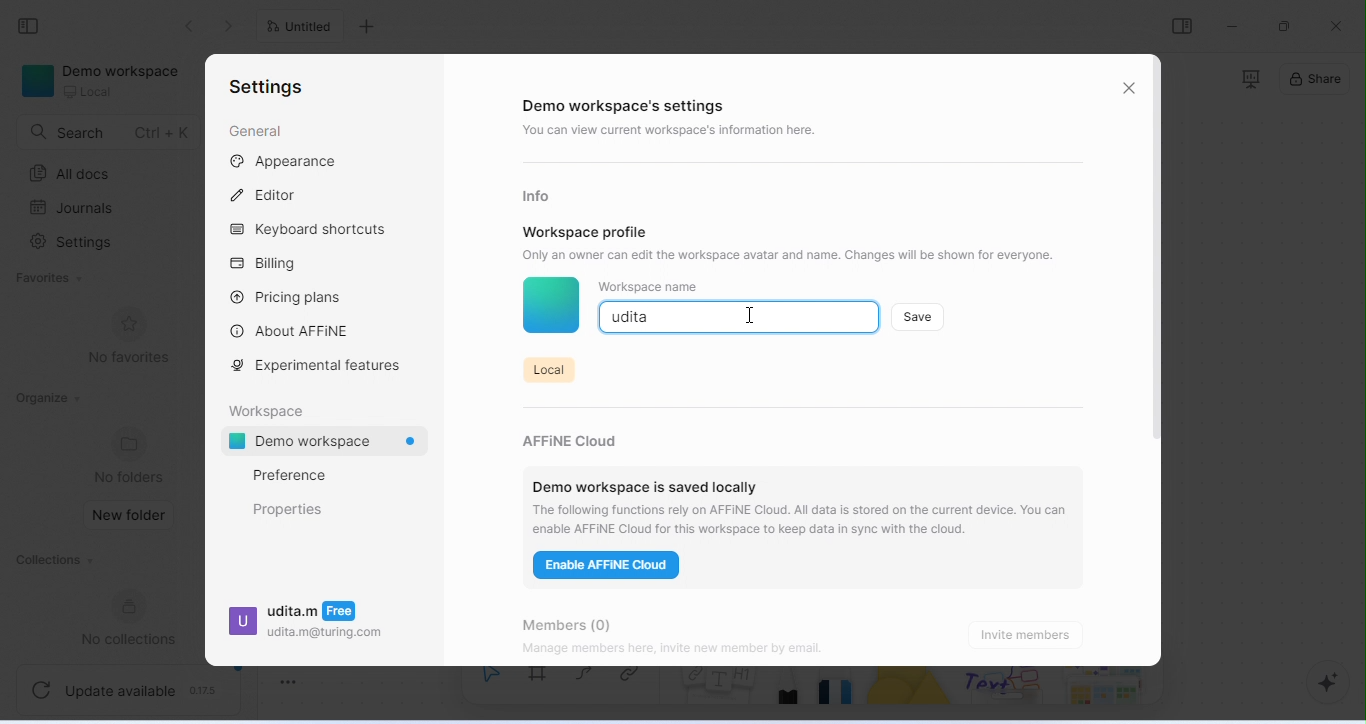 This screenshot has width=1366, height=724. I want to click on AI assistant, so click(1320, 683).